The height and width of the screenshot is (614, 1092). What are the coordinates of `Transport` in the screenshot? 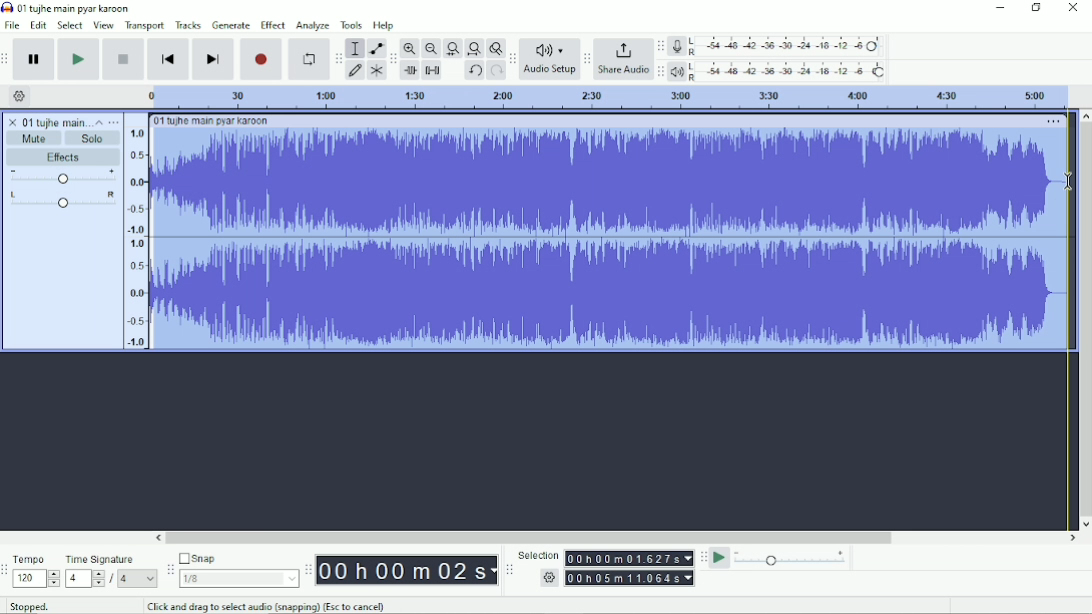 It's located at (145, 26).